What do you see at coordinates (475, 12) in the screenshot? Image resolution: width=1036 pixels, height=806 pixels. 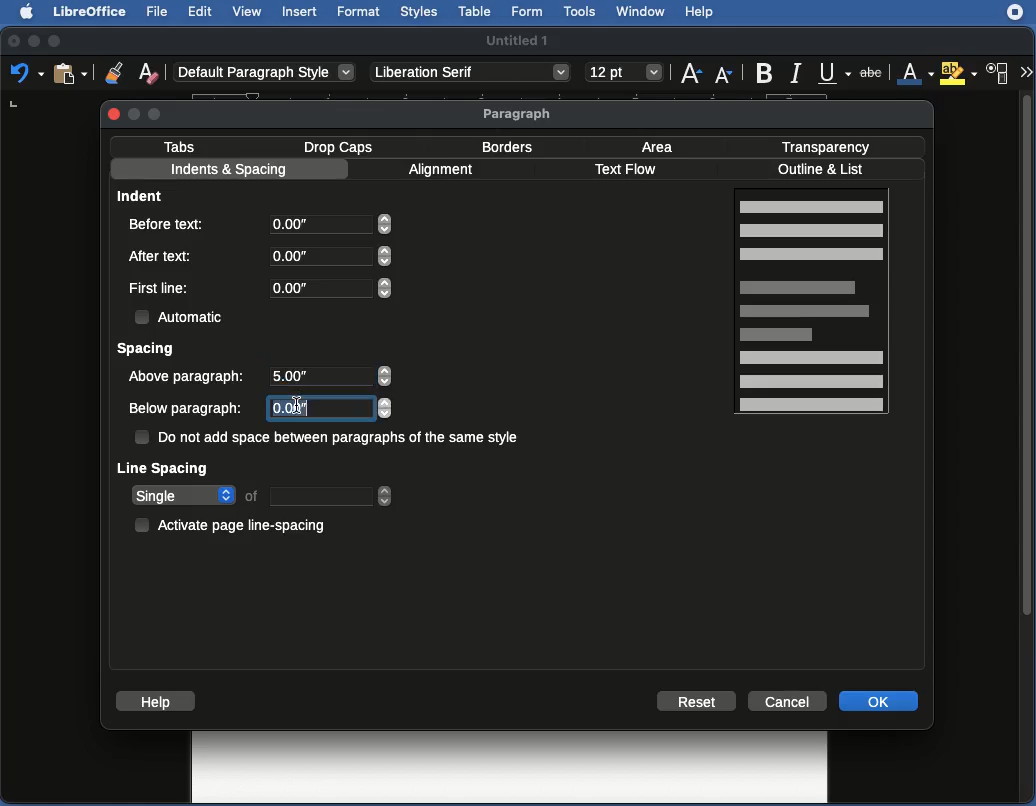 I see `Table` at bounding box center [475, 12].